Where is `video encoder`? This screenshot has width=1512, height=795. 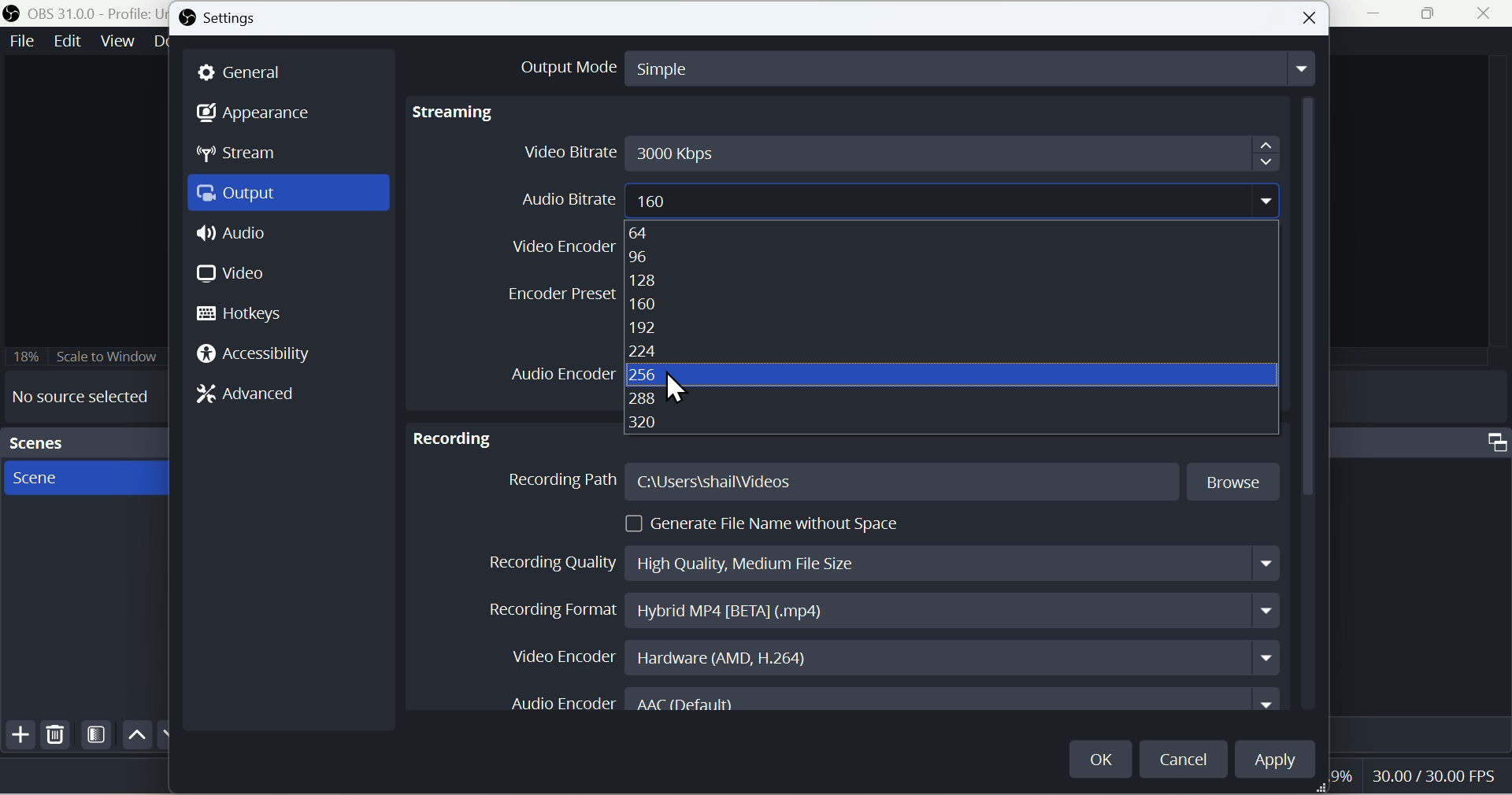 video encoder is located at coordinates (558, 243).